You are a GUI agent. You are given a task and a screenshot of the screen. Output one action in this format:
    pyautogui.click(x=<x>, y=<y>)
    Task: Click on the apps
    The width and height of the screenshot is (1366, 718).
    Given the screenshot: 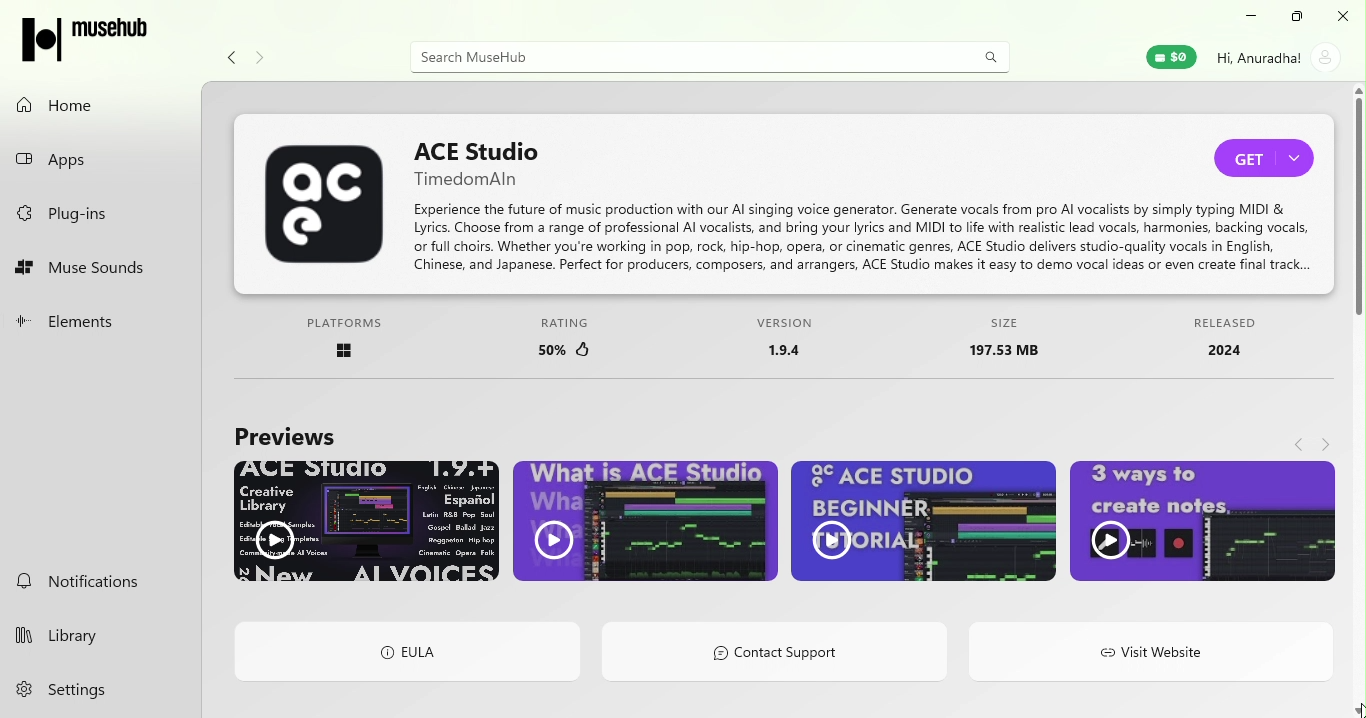 What is the action you would take?
    pyautogui.click(x=102, y=158)
    